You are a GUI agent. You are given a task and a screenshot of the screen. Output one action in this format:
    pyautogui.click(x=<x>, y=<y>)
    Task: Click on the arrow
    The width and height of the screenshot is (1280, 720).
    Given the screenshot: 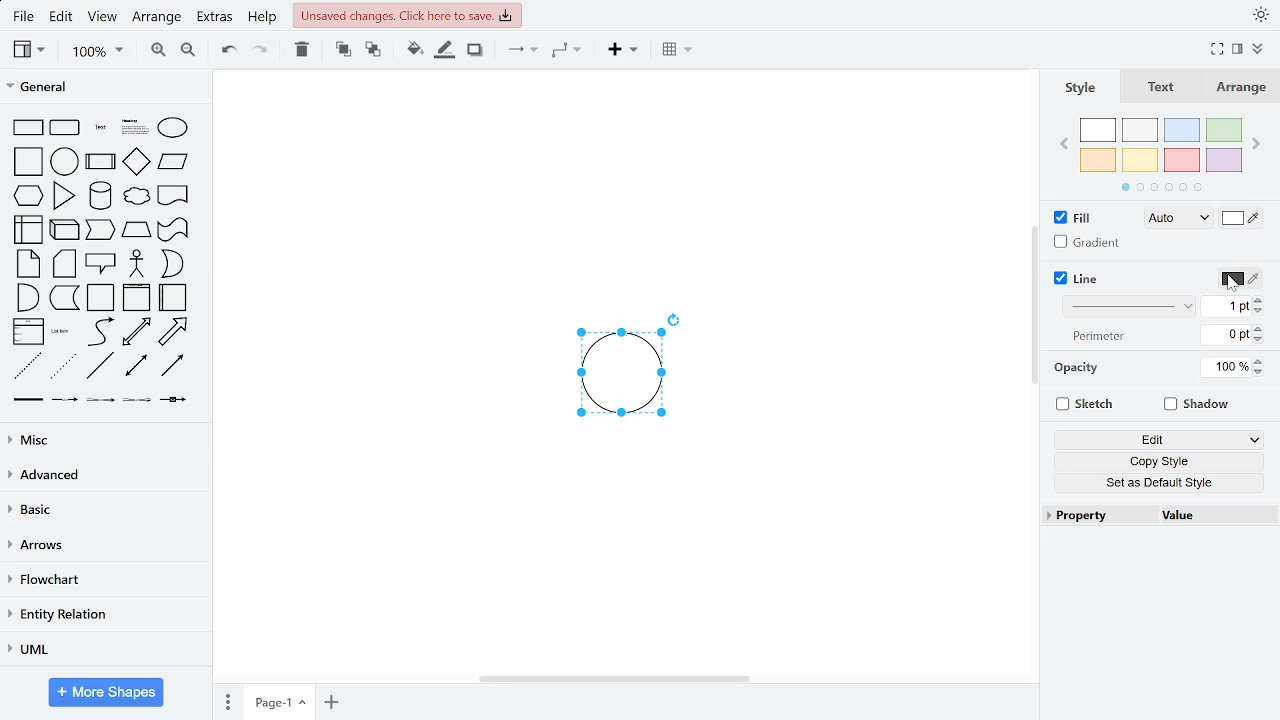 What is the action you would take?
    pyautogui.click(x=174, y=332)
    